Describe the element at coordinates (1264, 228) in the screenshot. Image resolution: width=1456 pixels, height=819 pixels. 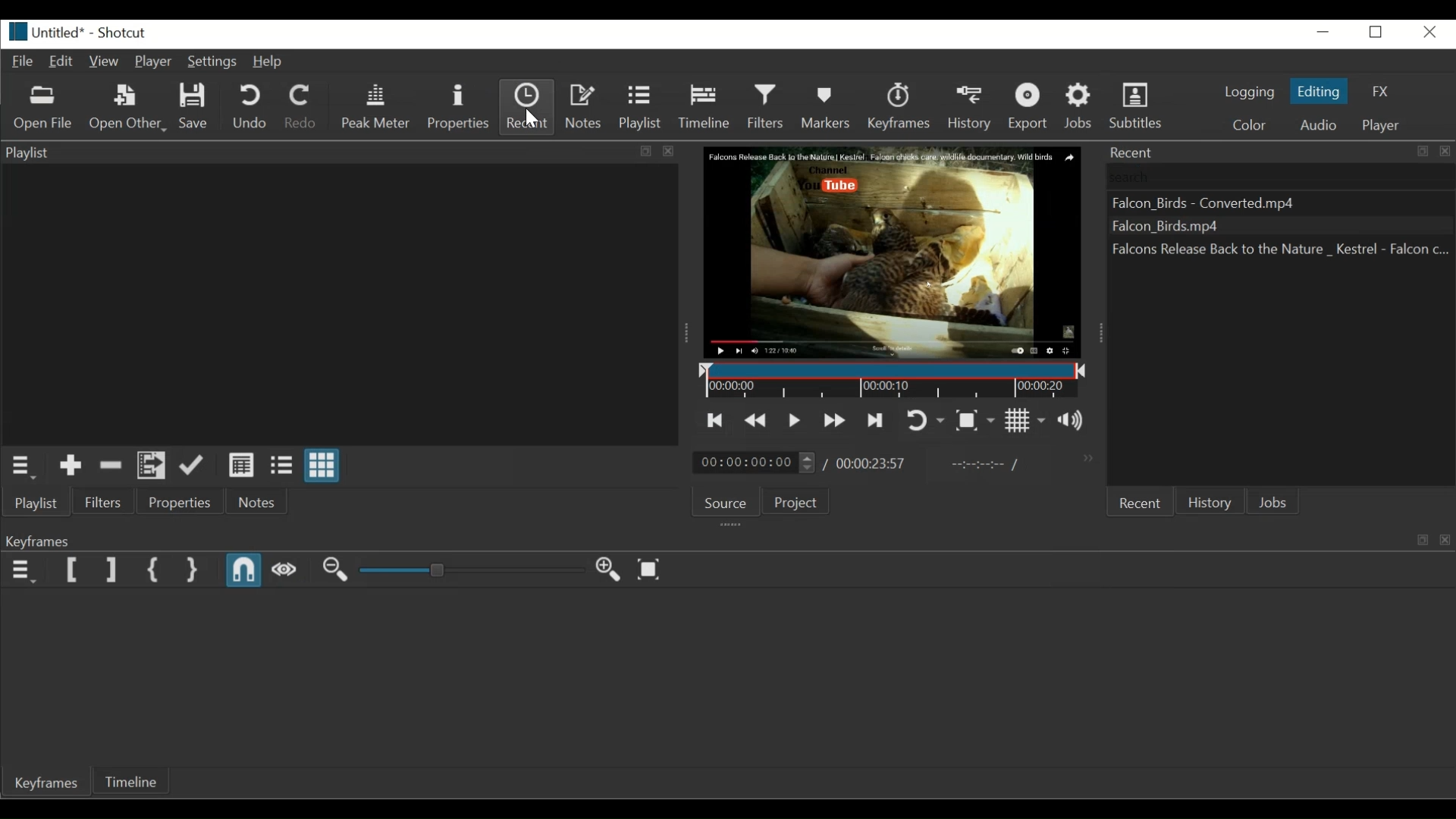
I see `File name` at that location.